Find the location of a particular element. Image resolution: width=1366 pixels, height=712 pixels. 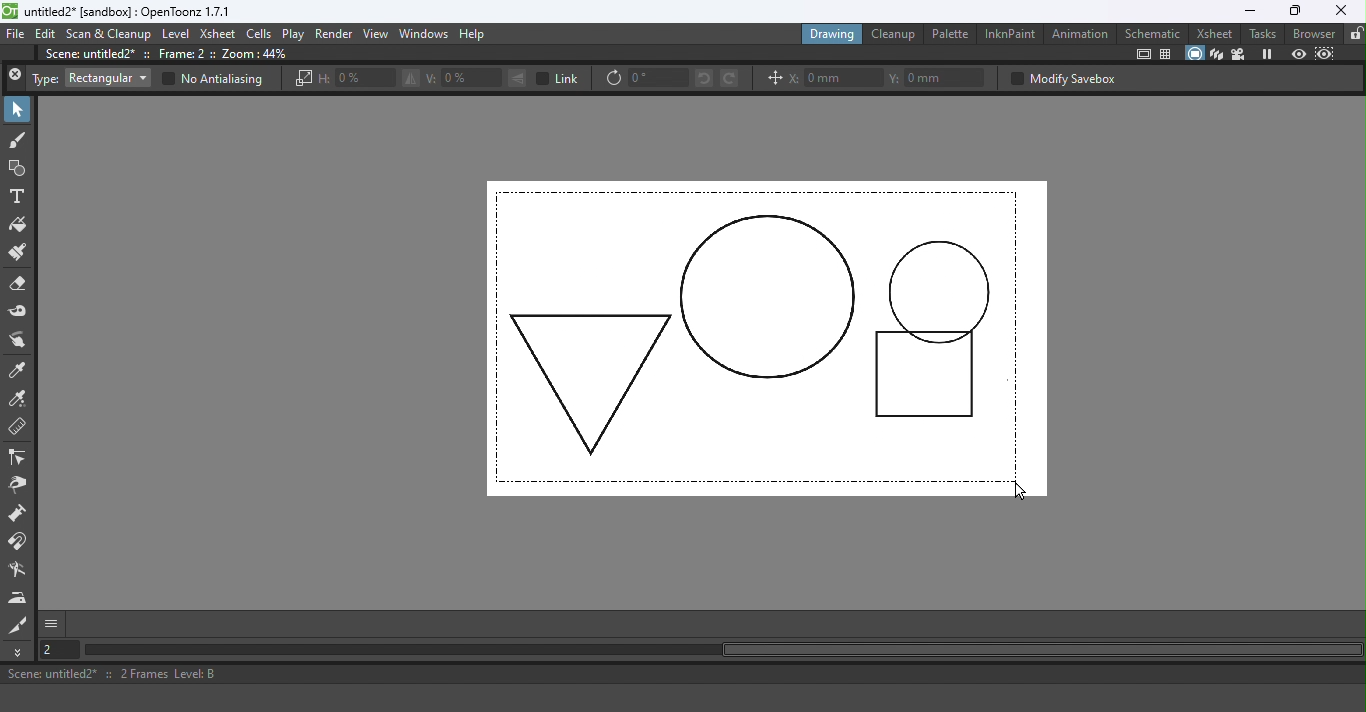

Tape tool is located at coordinates (19, 311).